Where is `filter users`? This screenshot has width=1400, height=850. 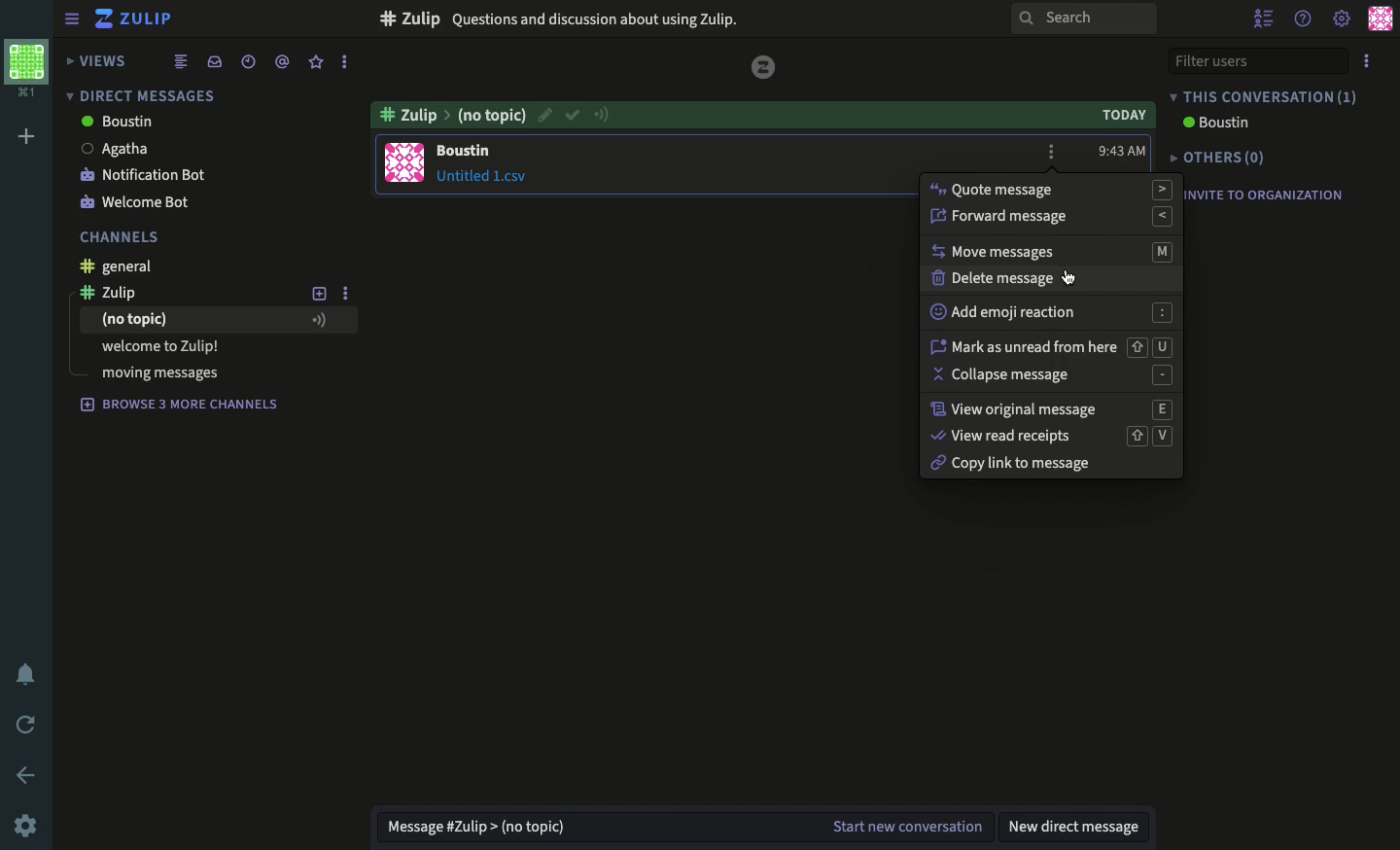
filter users is located at coordinates (1255, 62).